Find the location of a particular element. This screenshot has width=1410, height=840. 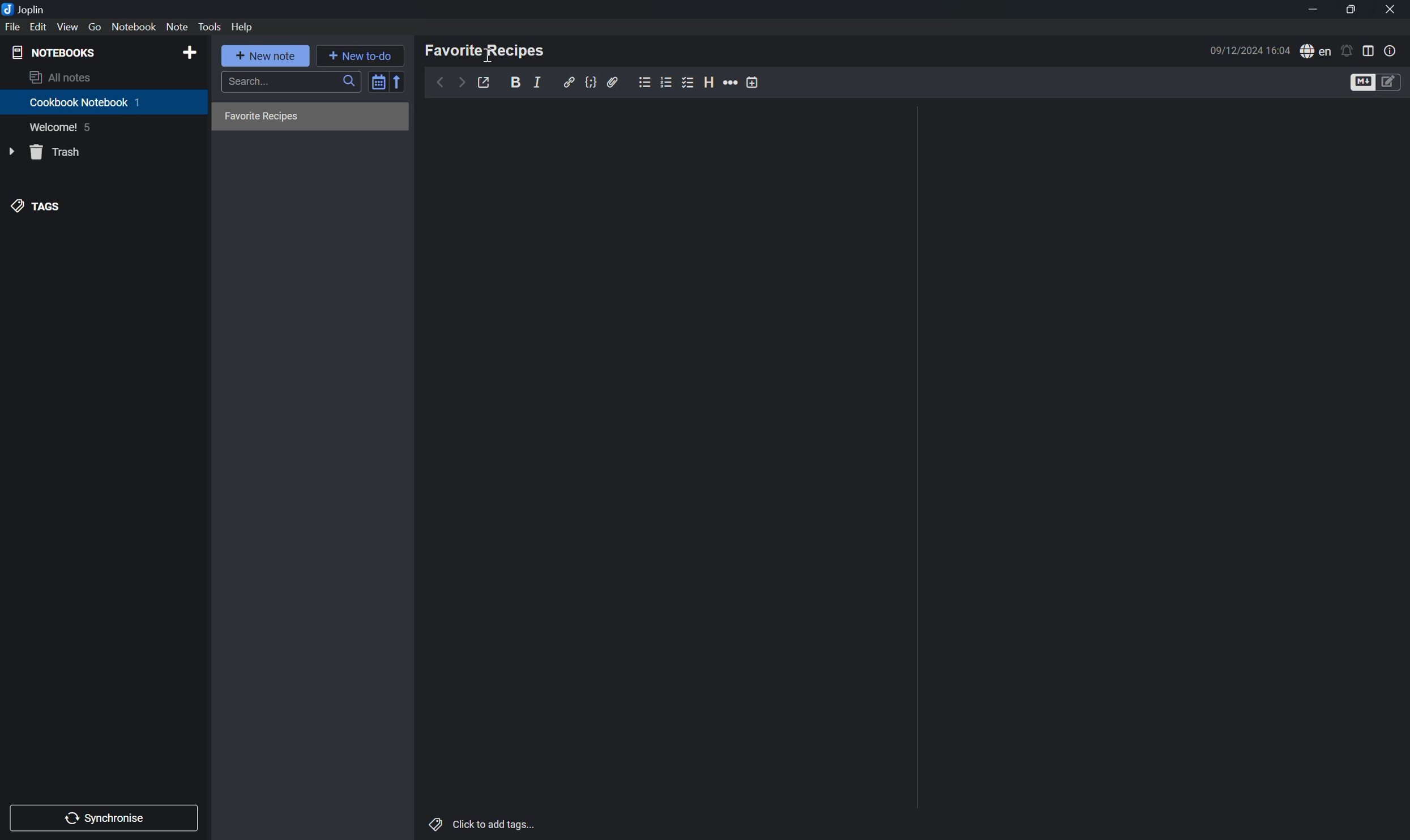

09/12/2024 16:03 is located at coordinates (1249, 50).